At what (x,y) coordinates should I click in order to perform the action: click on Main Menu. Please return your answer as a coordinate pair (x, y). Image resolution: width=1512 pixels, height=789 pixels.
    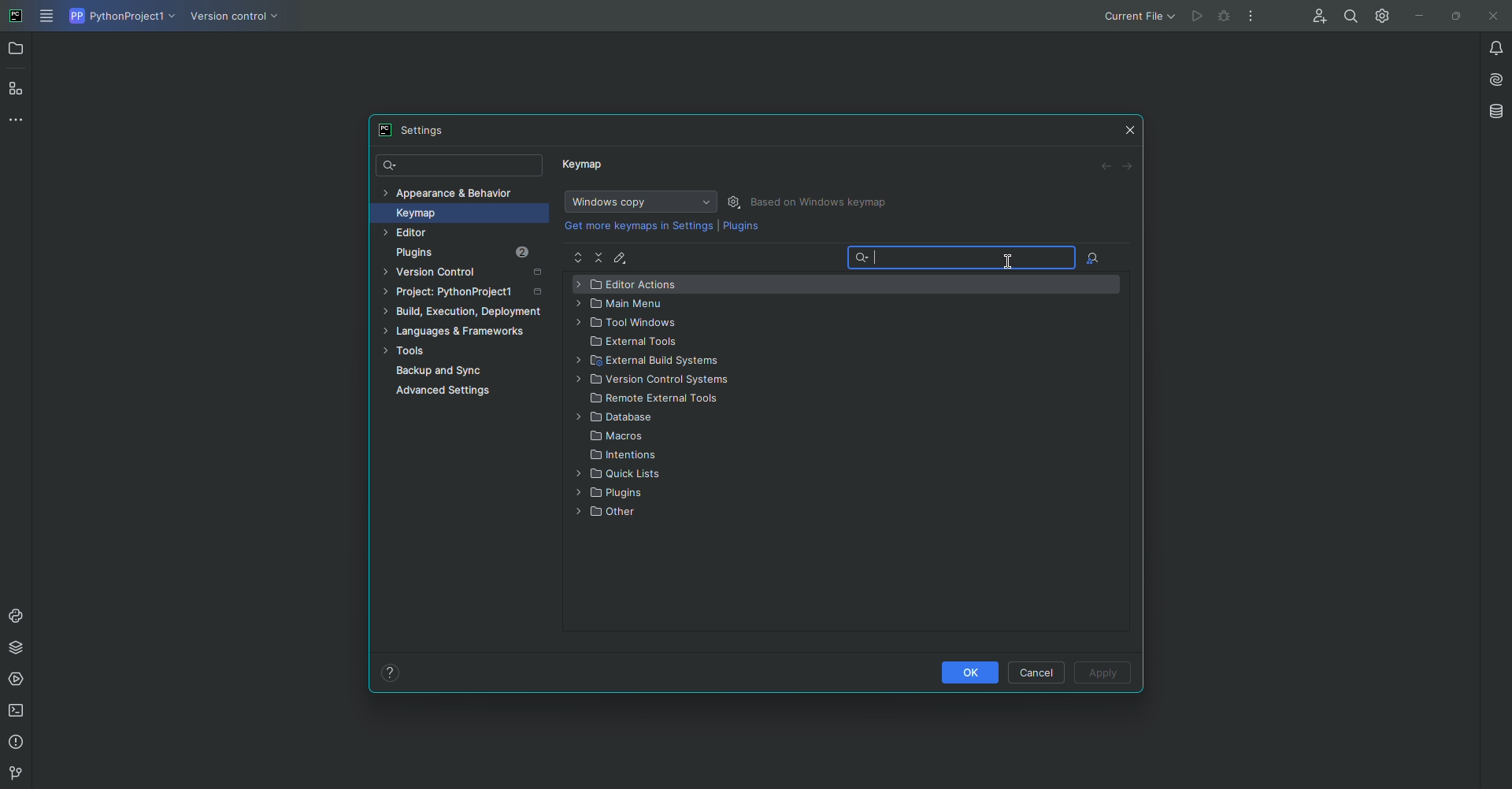
    Looking at the image, I should click on (627, 304).